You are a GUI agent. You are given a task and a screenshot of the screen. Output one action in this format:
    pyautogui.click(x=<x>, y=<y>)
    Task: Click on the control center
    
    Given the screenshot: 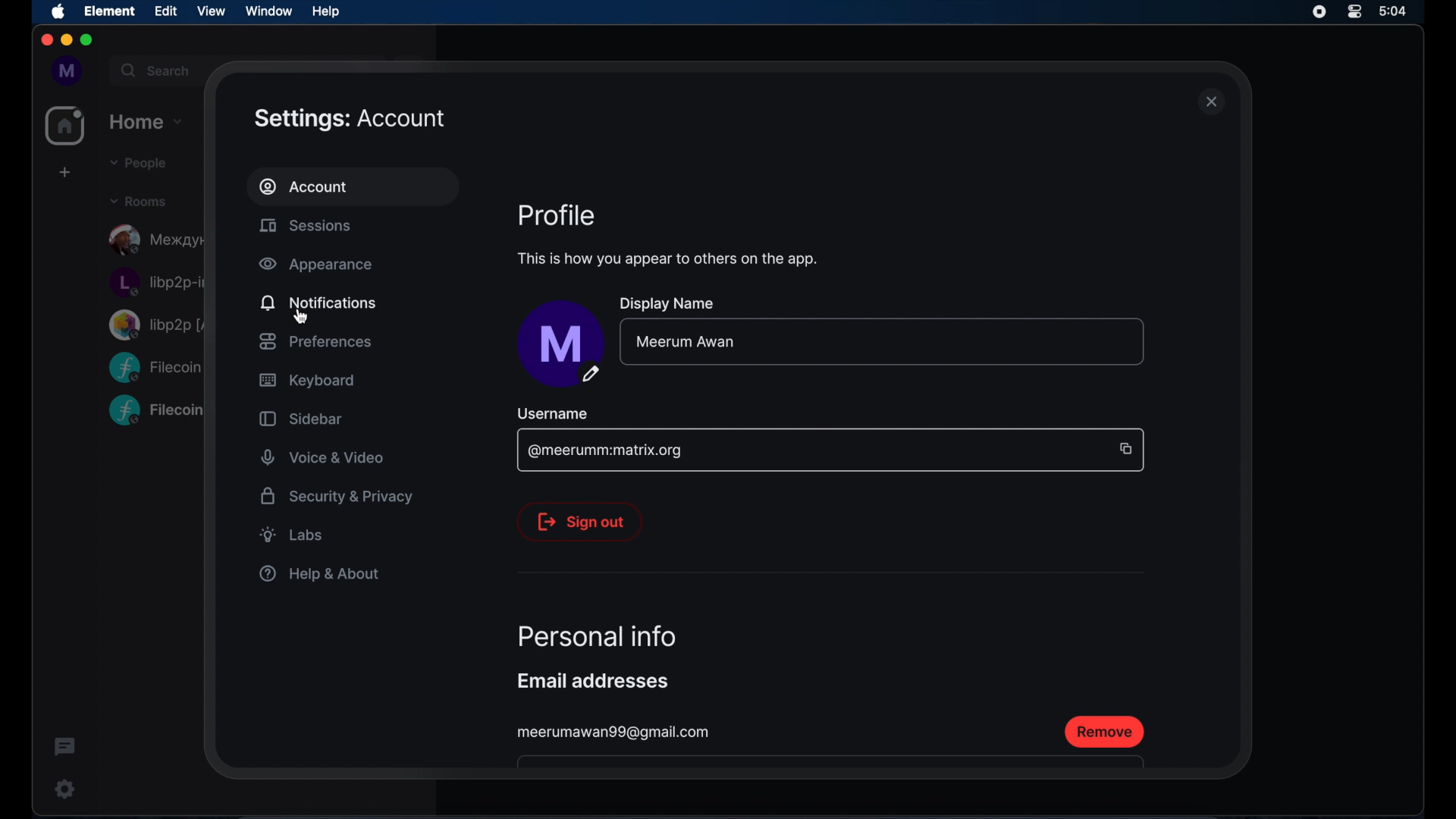 What is the action you would take?
    pyautogui.click(x=1355, y=12)
    